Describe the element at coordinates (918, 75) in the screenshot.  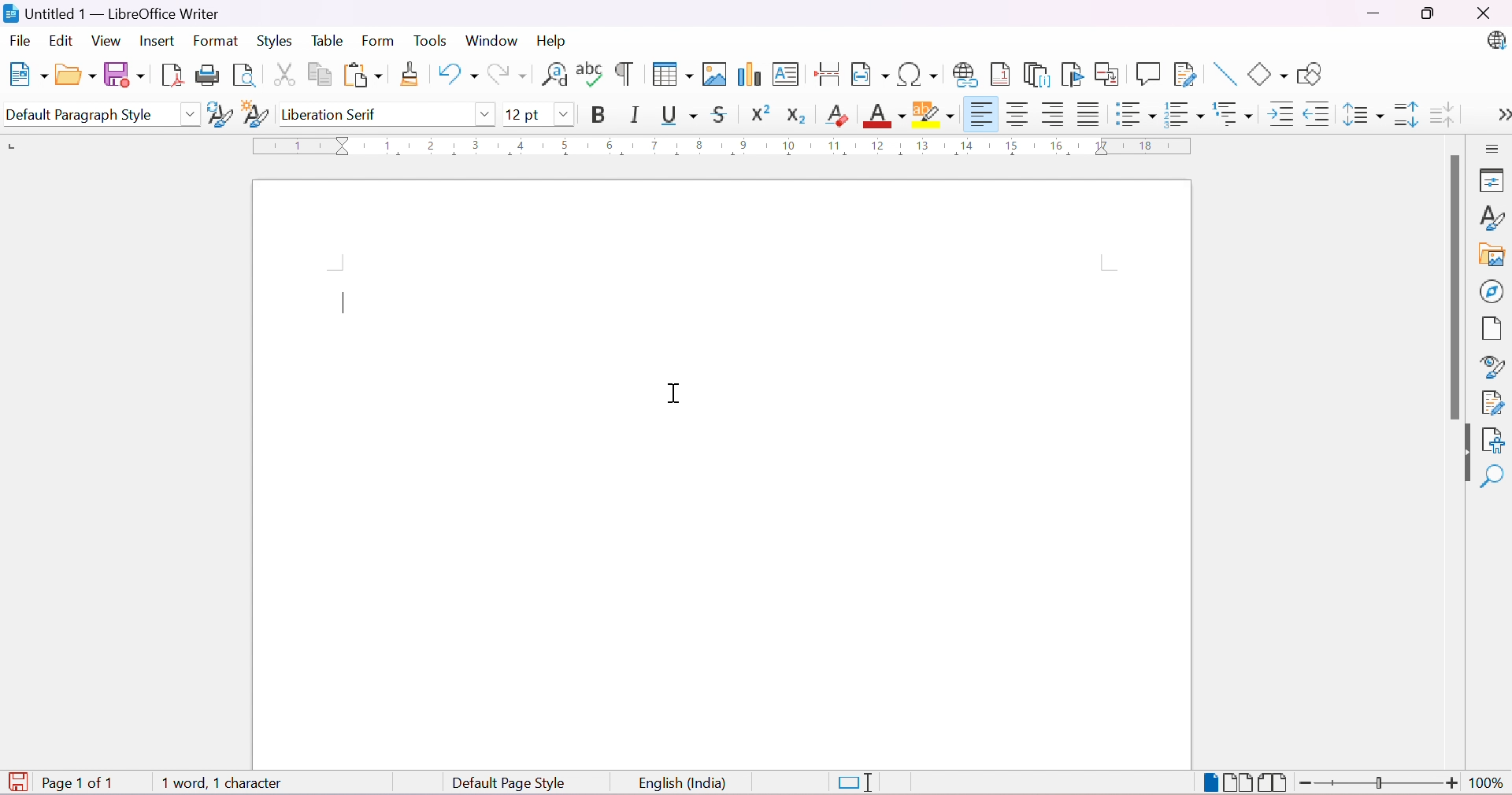
I see `Insert Special Characters` at that location.